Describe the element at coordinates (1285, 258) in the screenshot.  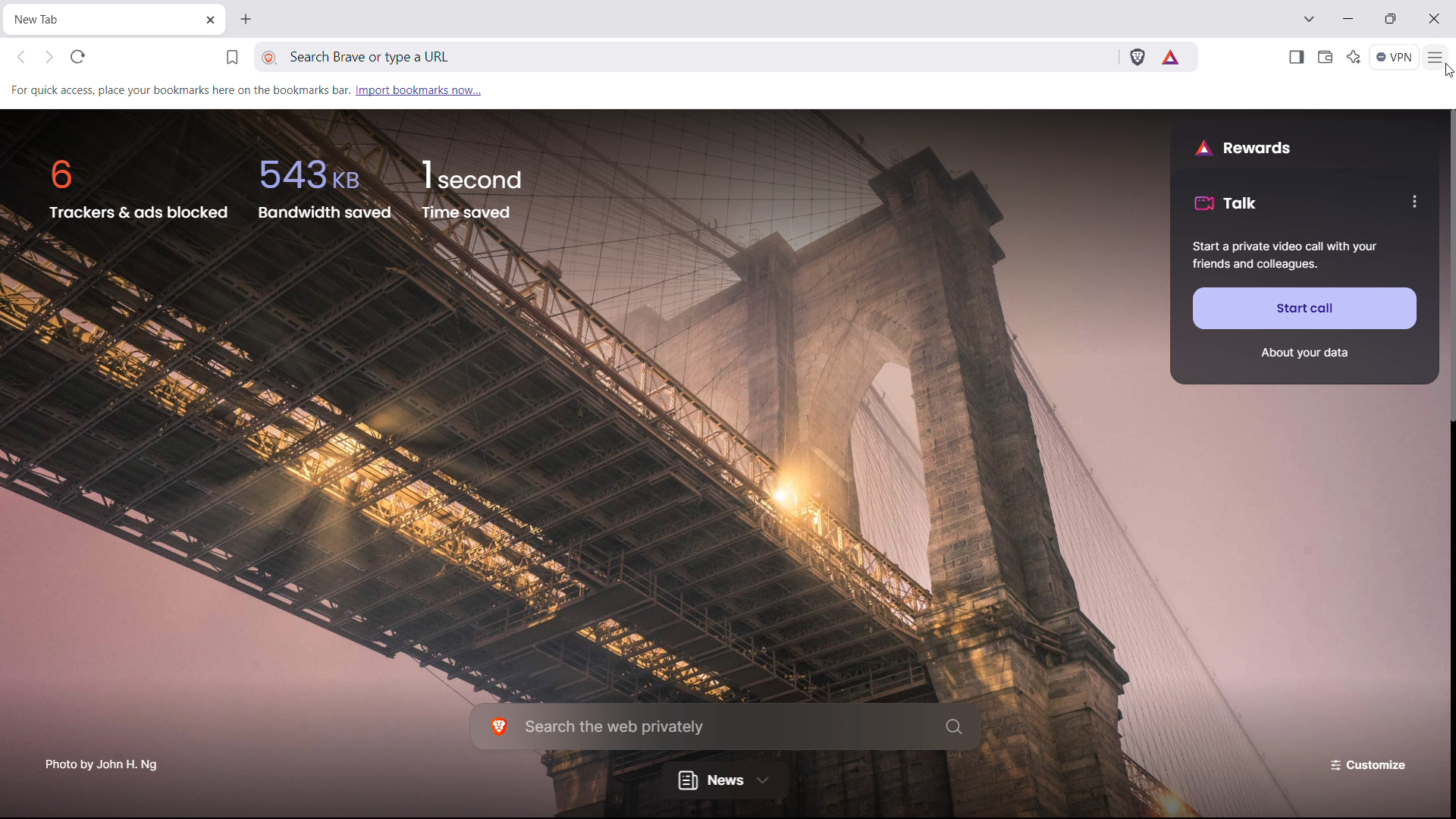
I see `Start a private video call with your
friends and colleagues.` at that location.